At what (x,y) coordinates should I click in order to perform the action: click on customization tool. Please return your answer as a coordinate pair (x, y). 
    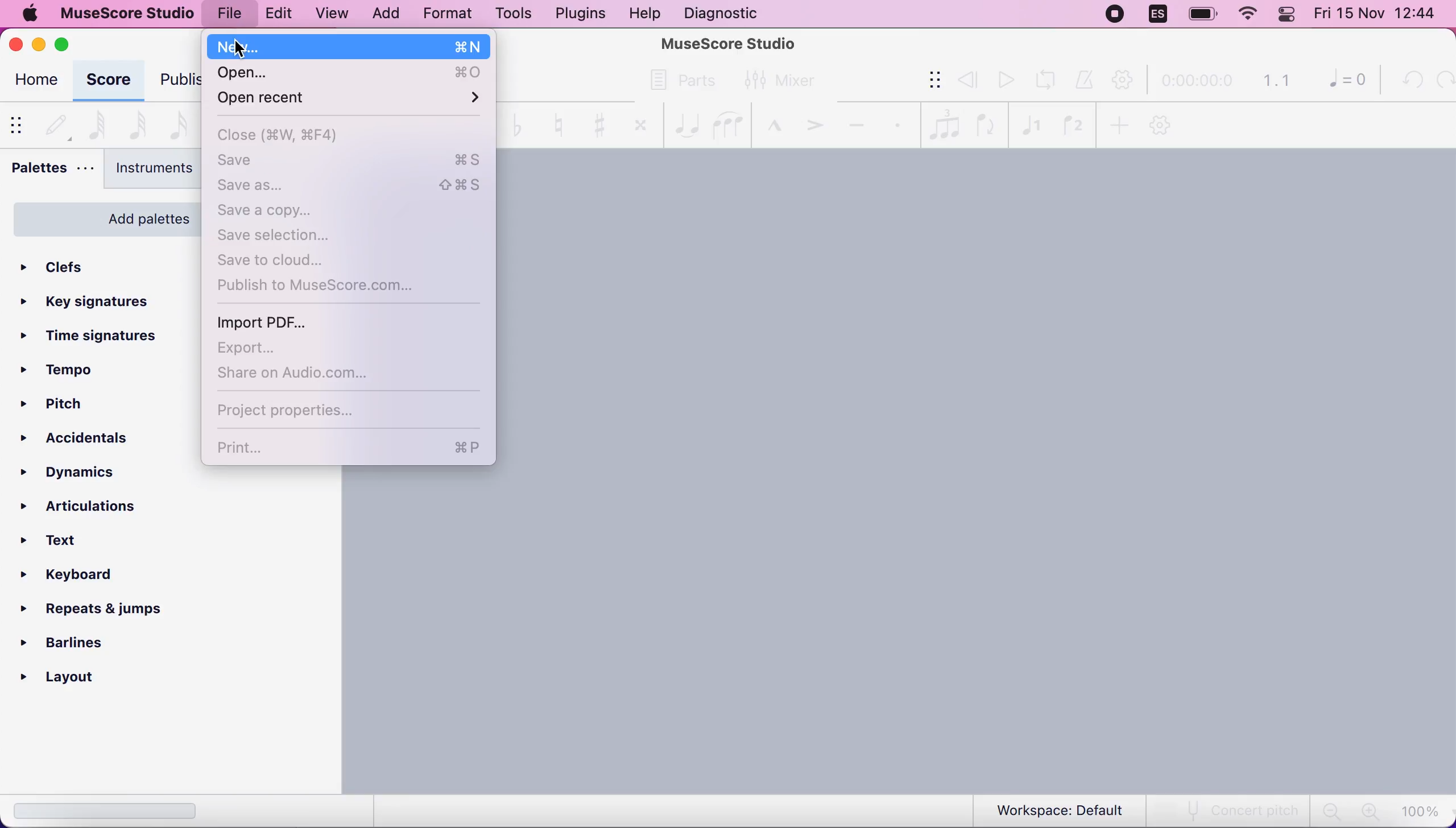
    Looking at the image, I should click on (1162, 125).